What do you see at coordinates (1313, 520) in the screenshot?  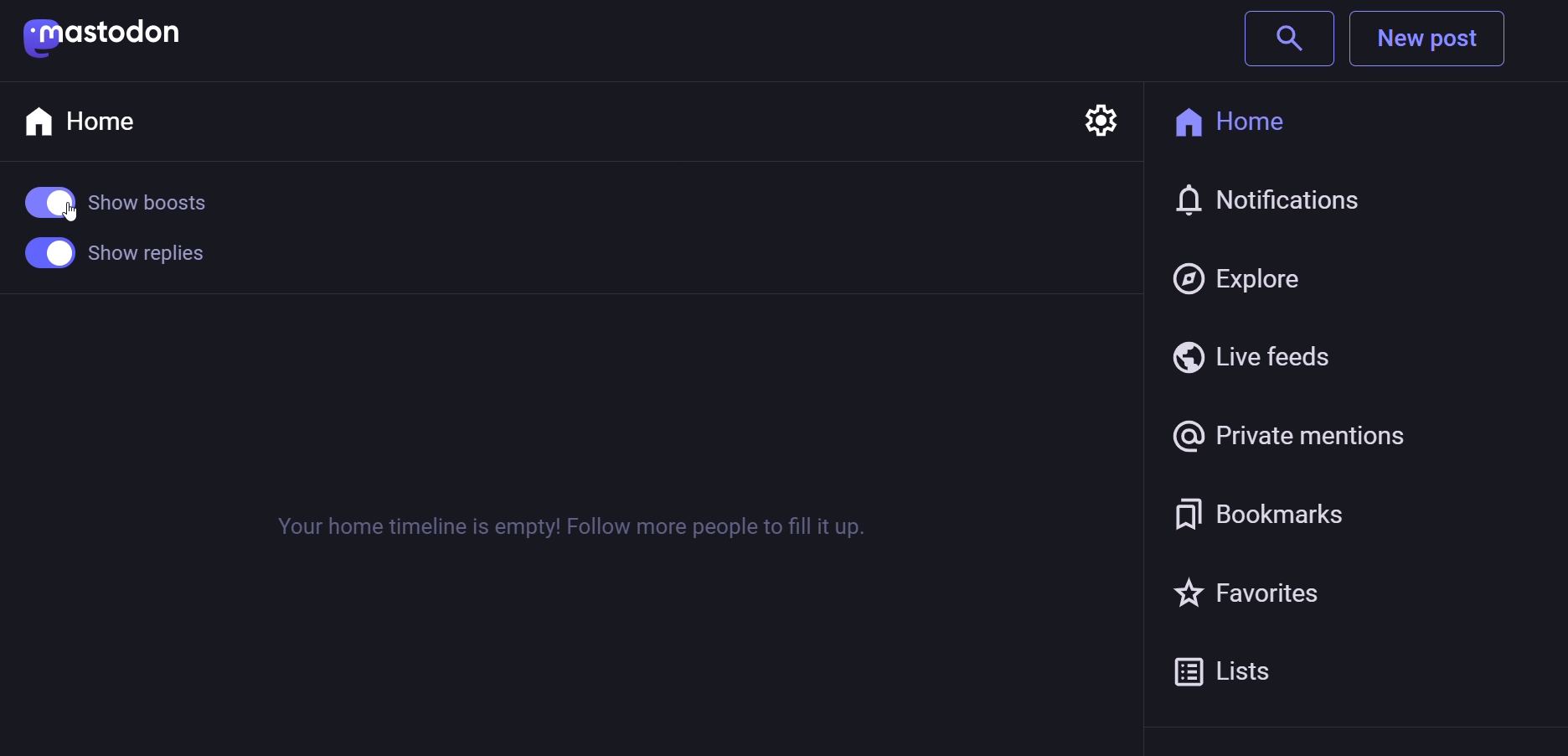 I see `Bookmark` at bounding box center [1313, 520].